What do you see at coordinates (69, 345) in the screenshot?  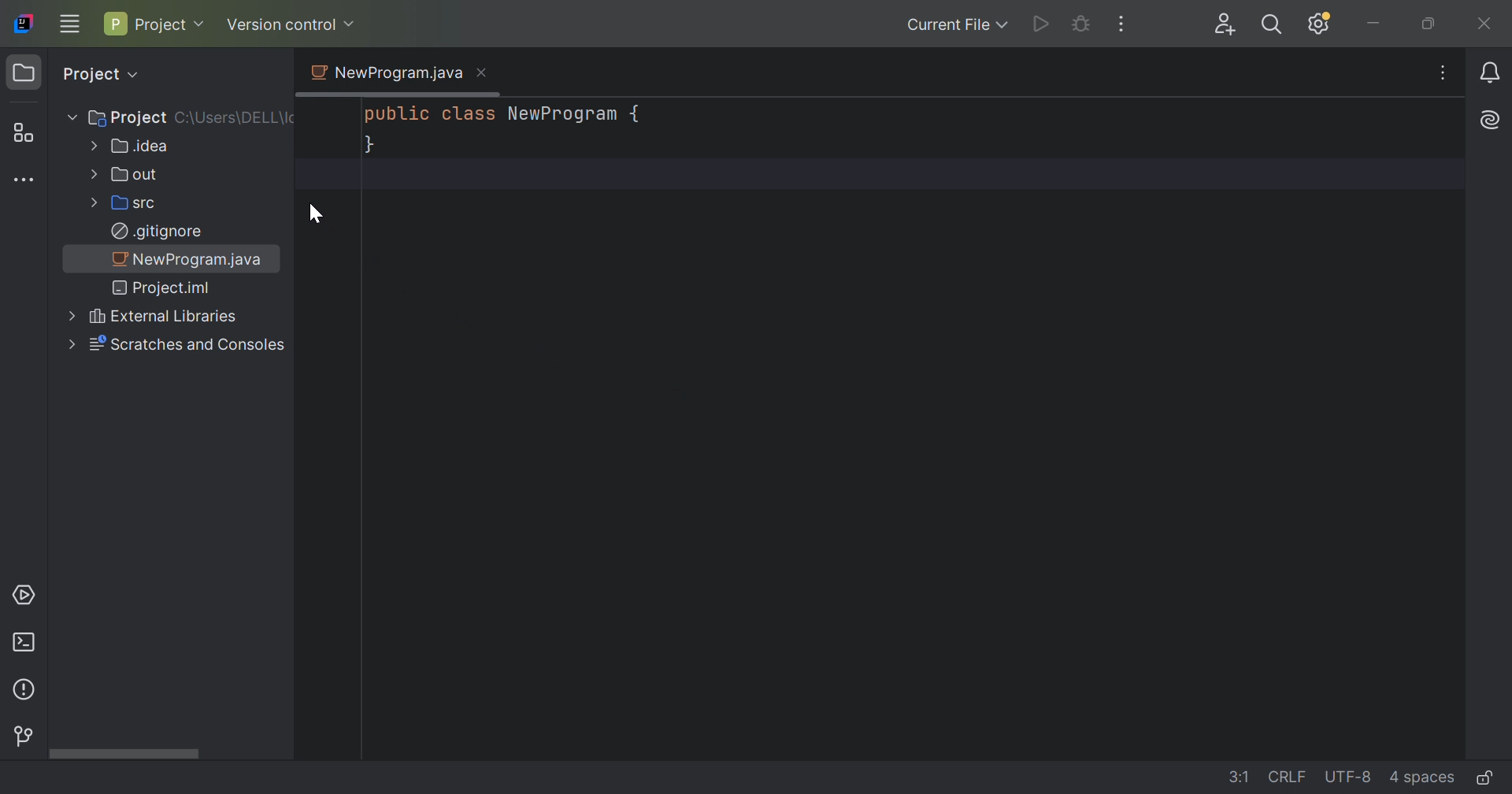 I see `Drop Down` at bounding box center [69, 345].